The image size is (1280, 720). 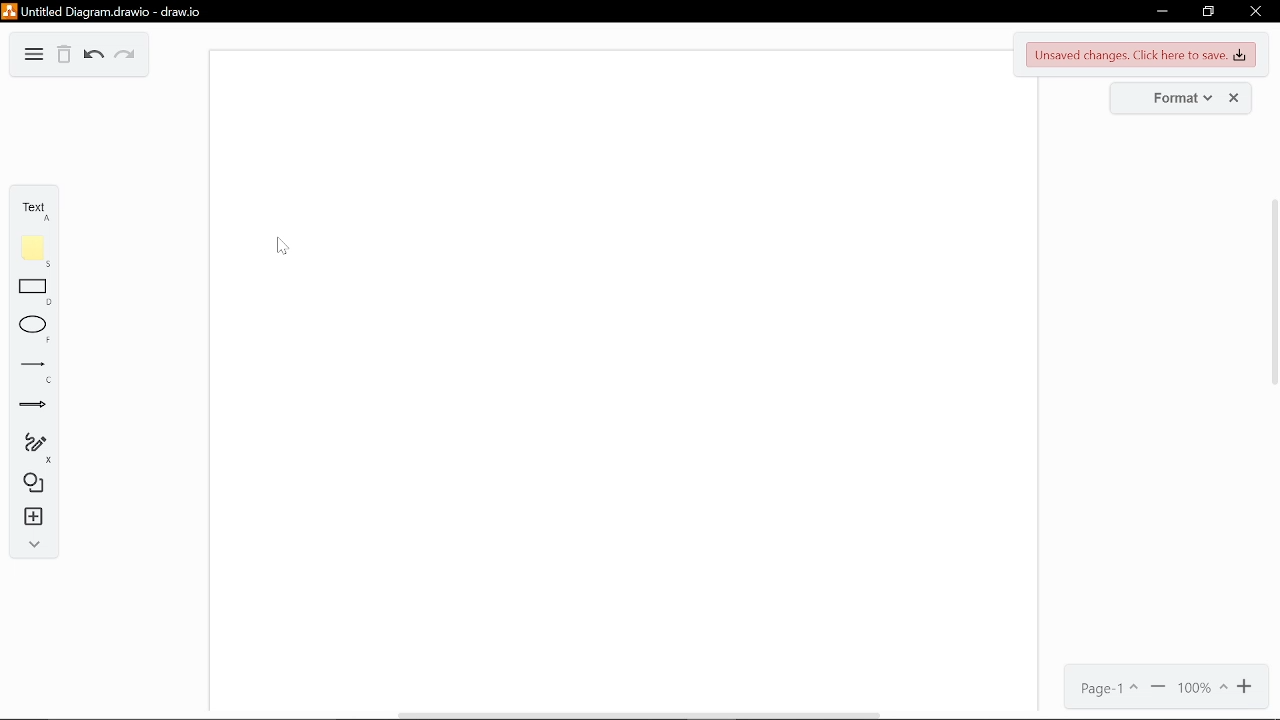 What do you see at coordinates (34, 254) in the screenshot?
I see `note` at bounding box center [34, 254].